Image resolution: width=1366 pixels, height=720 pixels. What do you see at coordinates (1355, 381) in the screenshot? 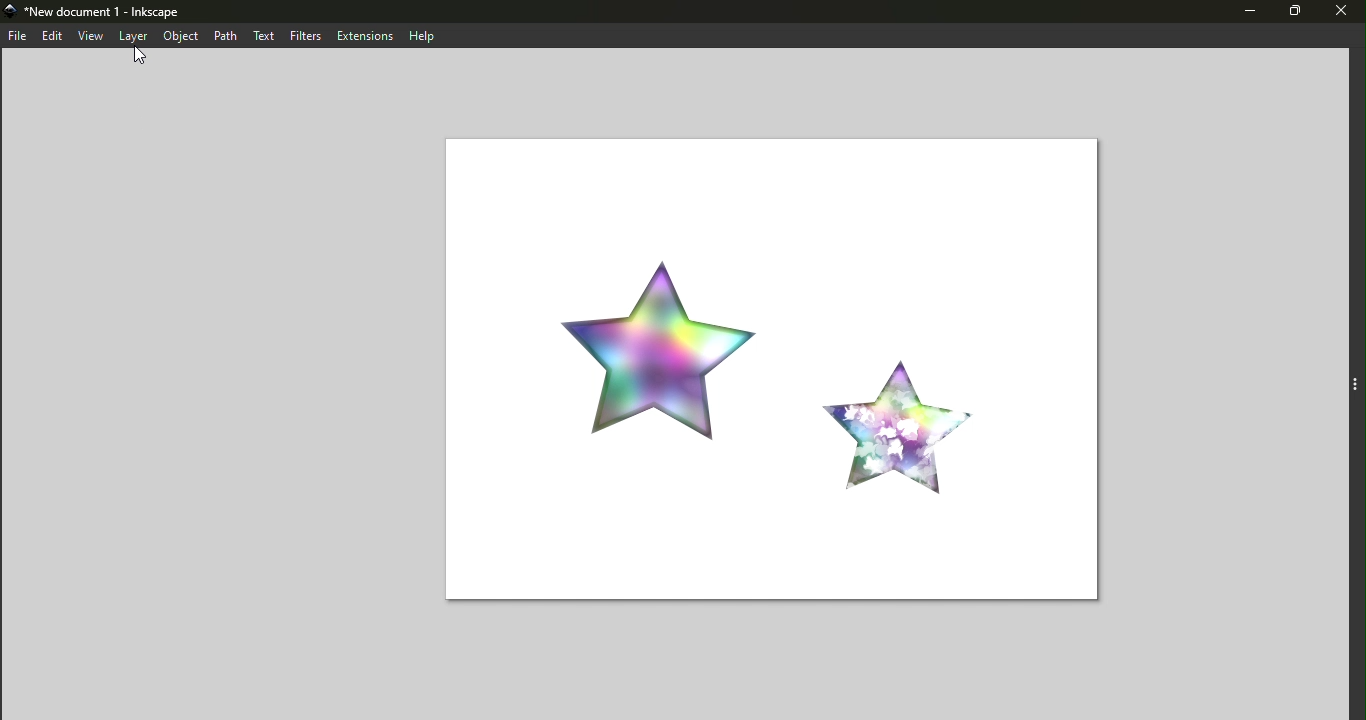
I see `Toggle command layer` at bounding box center [1355, 381].